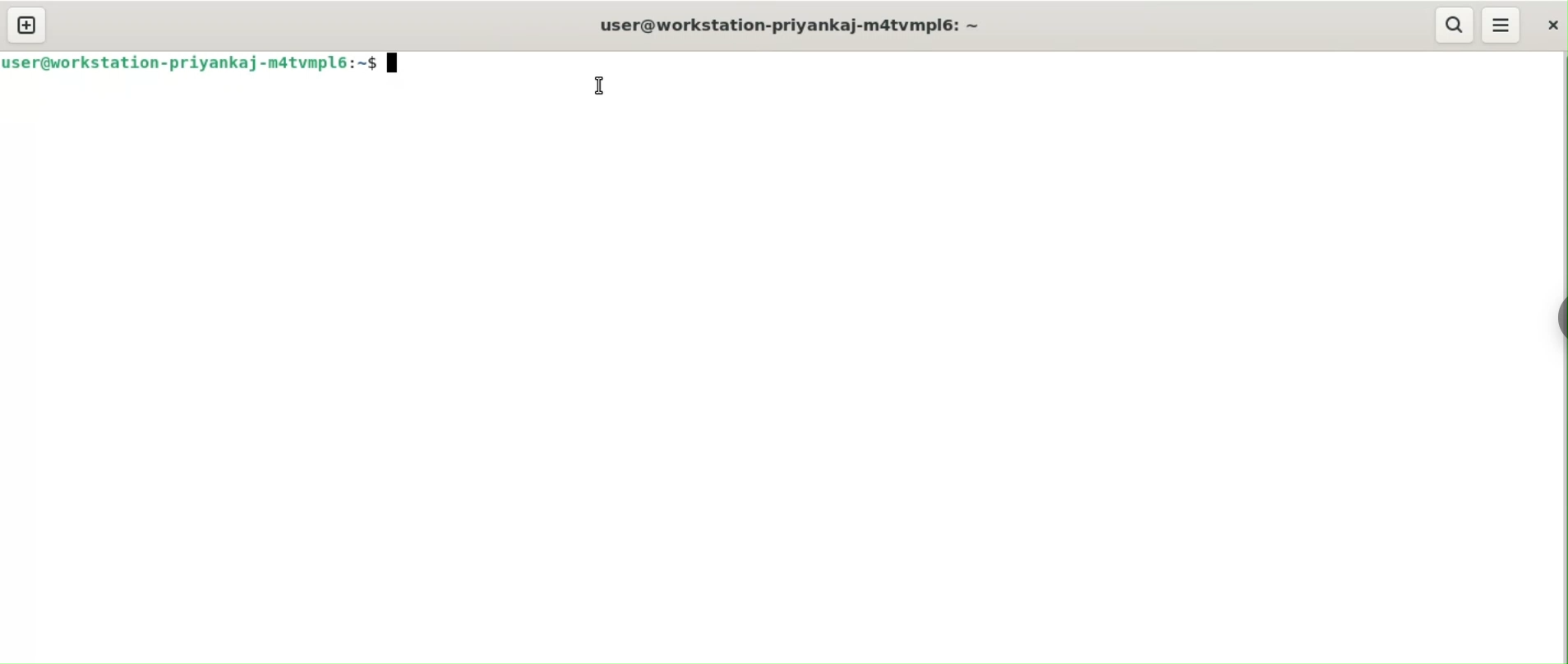  What do you see at coordinates (782, 26) in the screenshot?
I see `user@workstation-priyankaj-m4atvmpl6: ~` at bounding box center [782, 26].